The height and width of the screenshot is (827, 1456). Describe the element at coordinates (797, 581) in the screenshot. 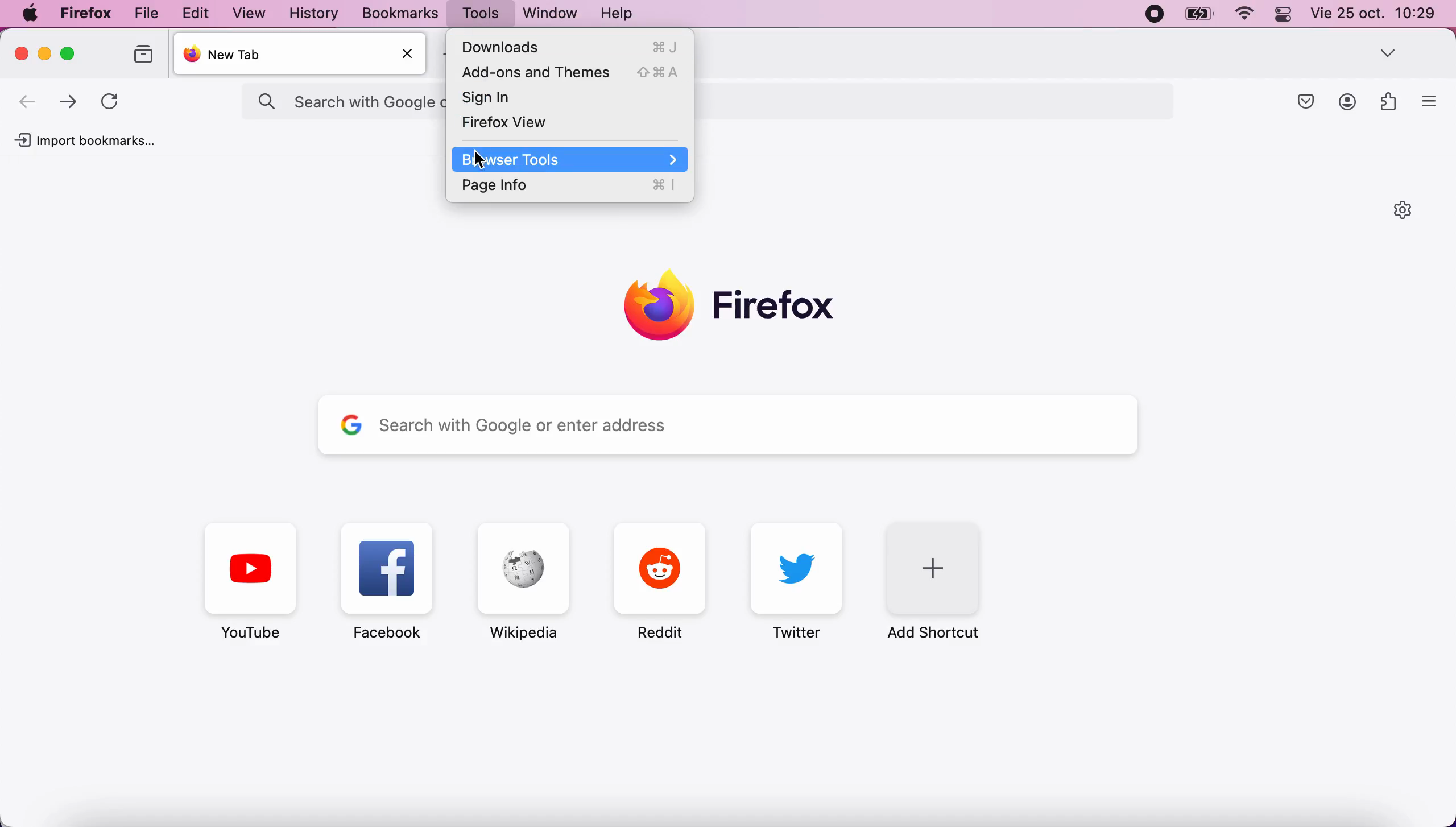

I see `Twitter` at that location.